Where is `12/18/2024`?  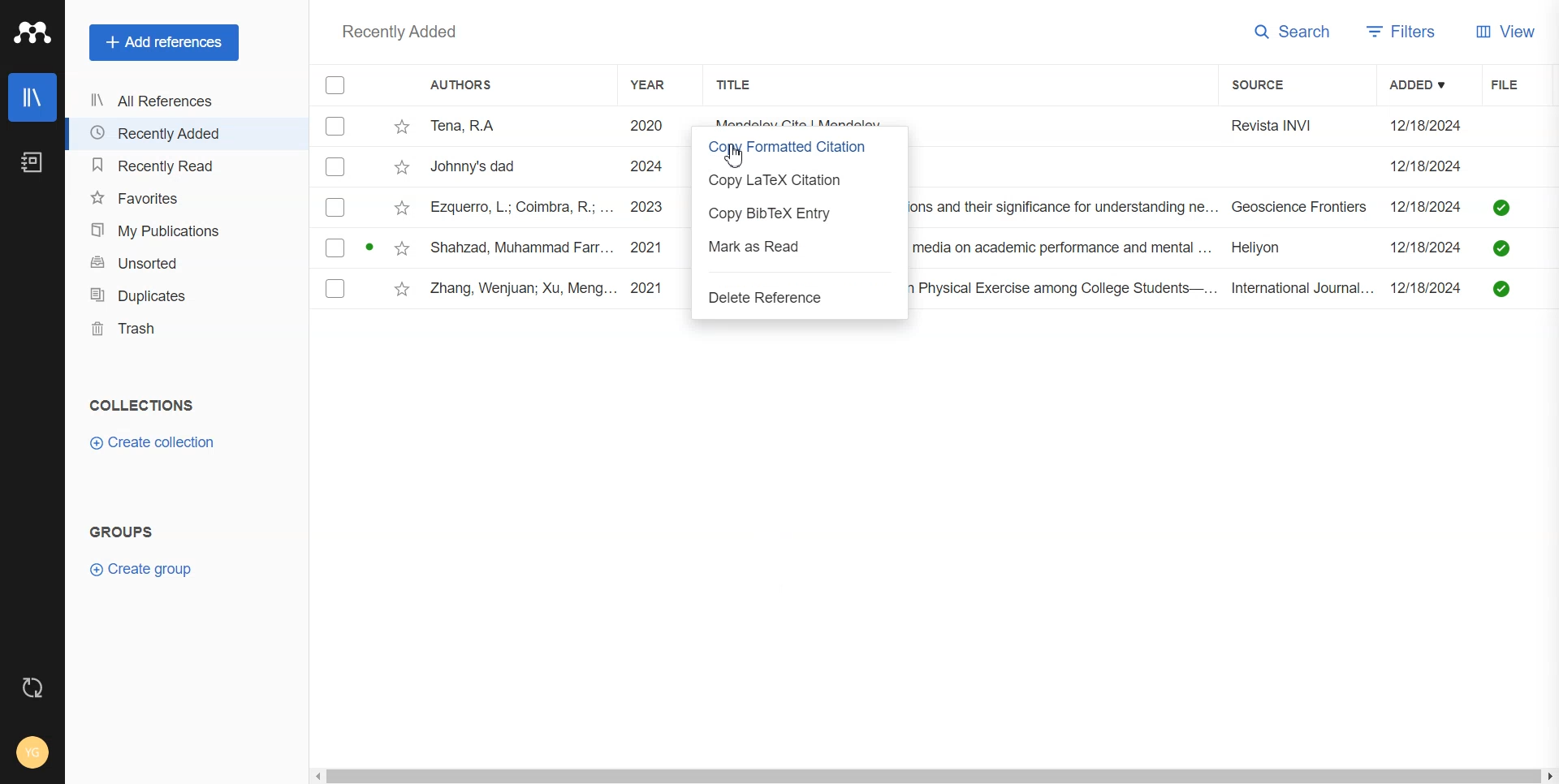
12/18/2024 is located at coordinates (1430, 288).